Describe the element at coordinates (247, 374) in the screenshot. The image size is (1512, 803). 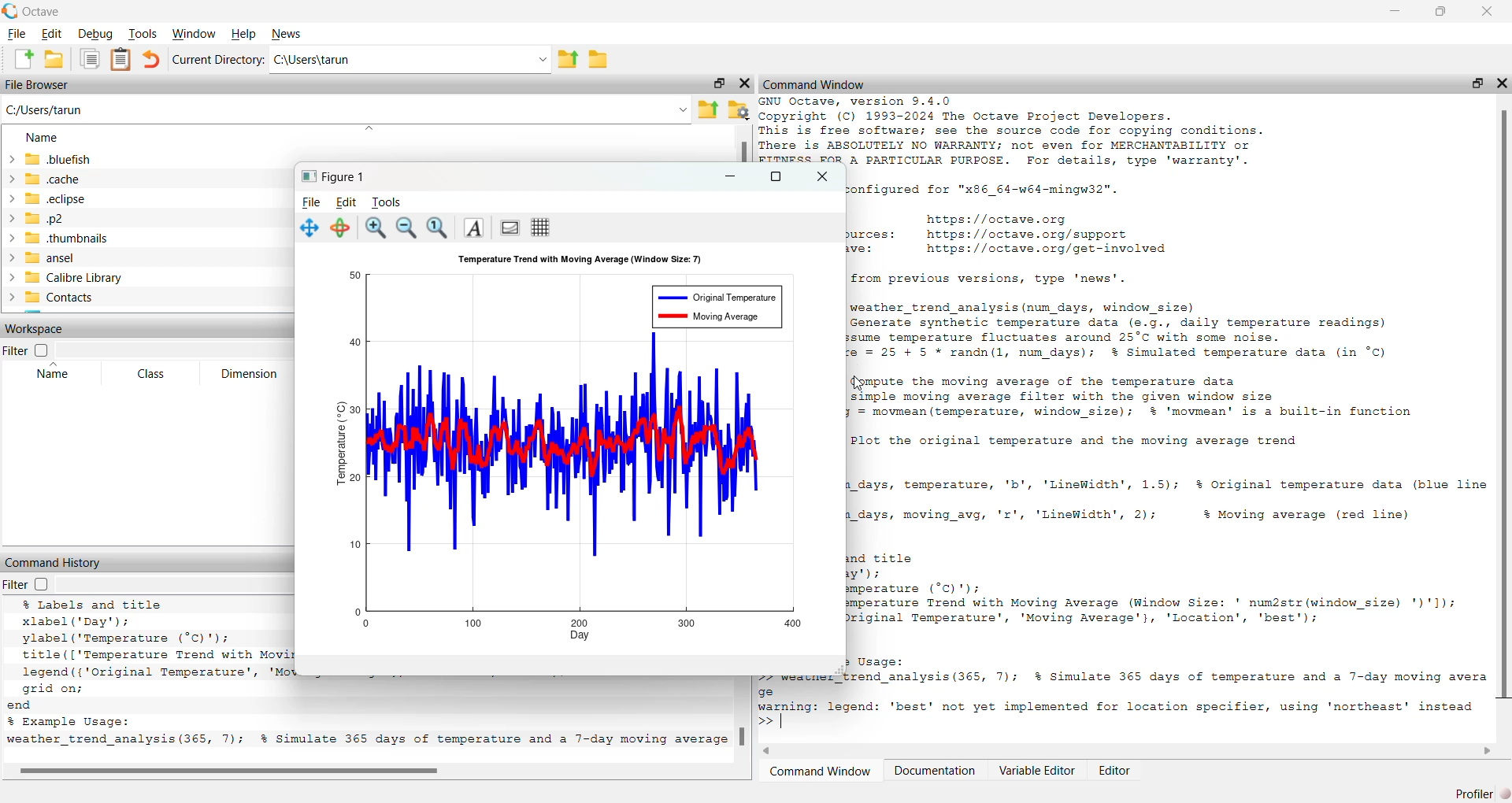
I see `Dimension` at that location.